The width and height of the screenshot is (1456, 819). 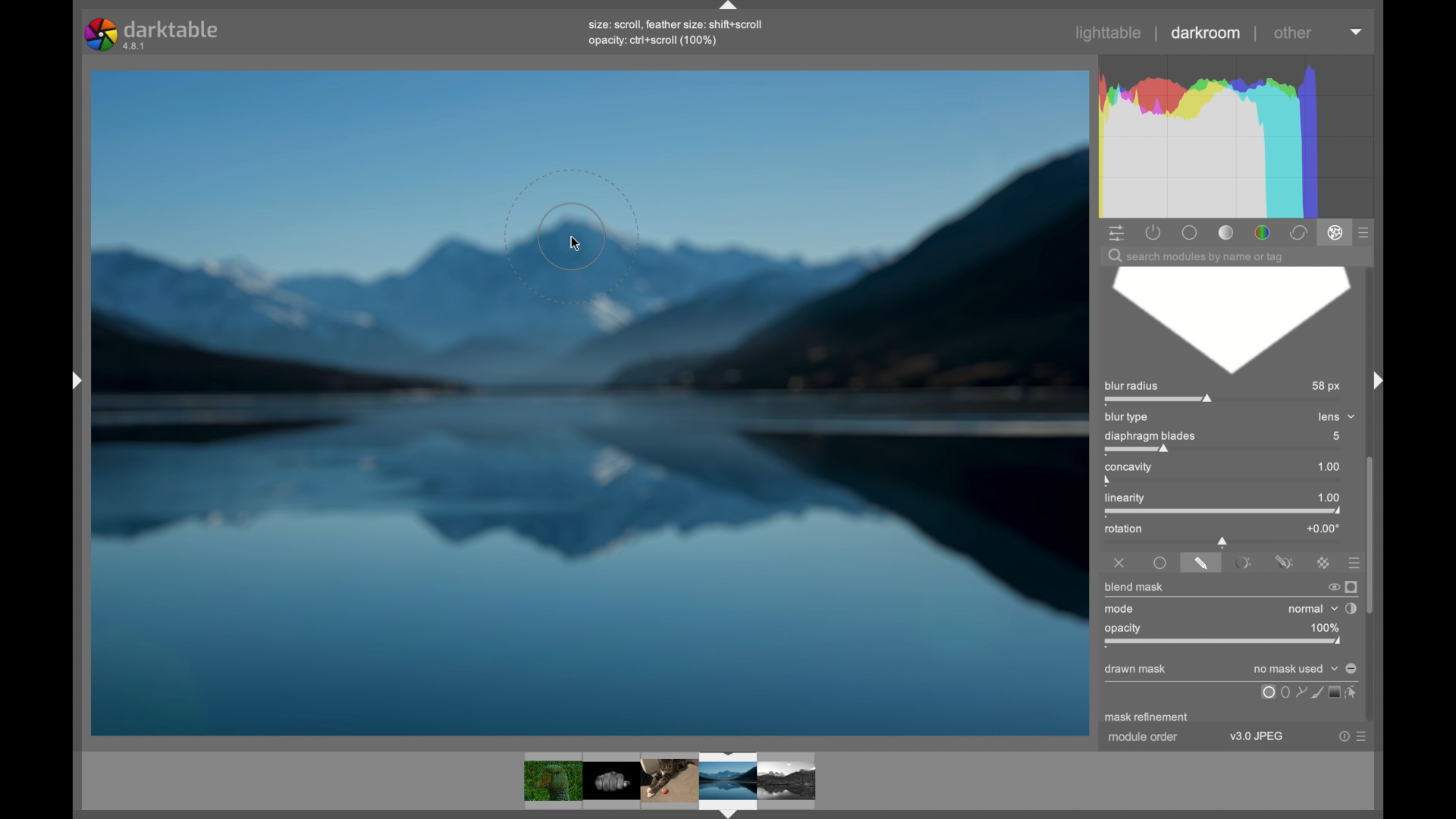 I want to click on +0.00, so click(x=1323, y=527).